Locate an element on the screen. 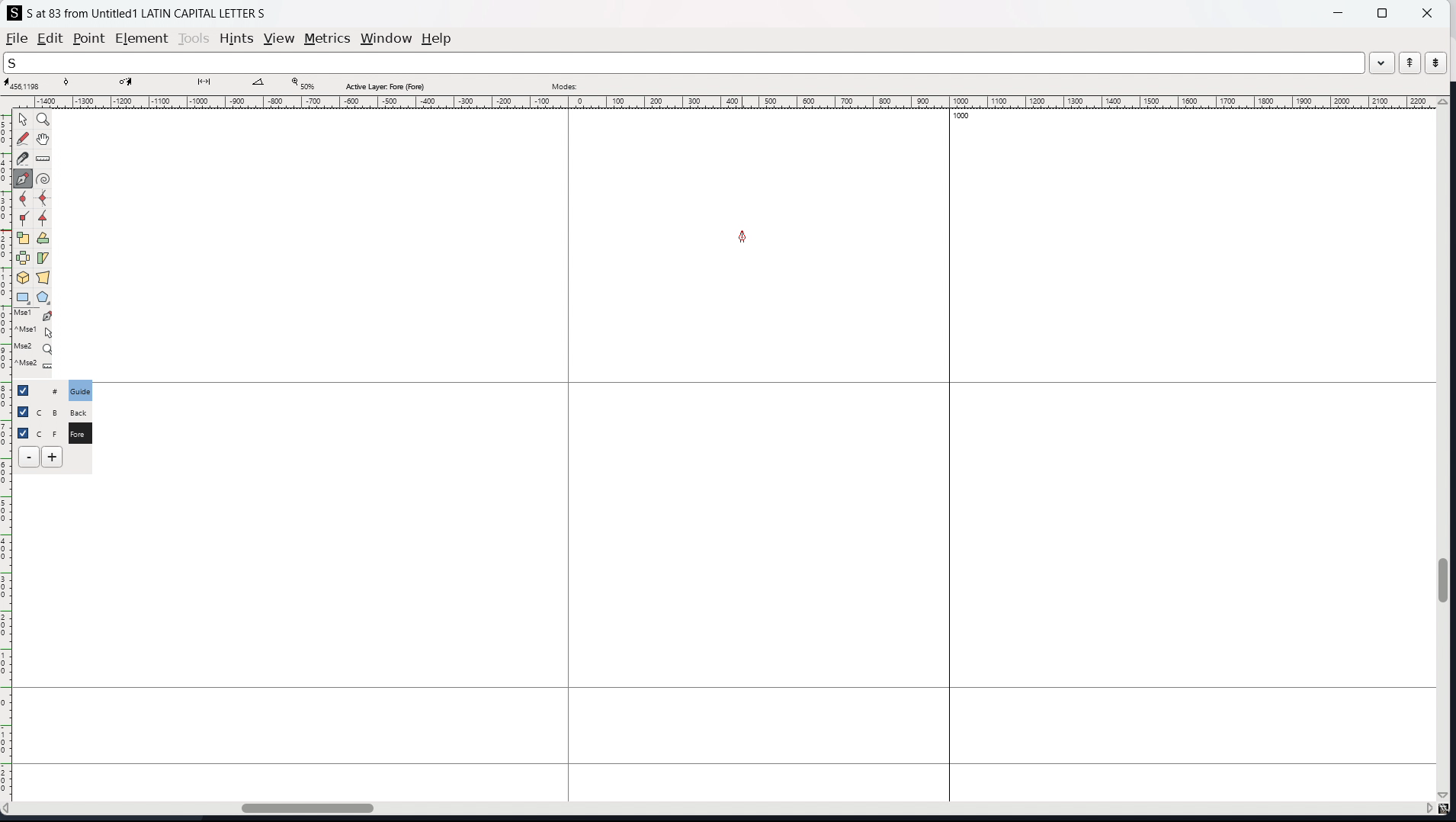  scale the selection is located at coordinates (24, 239).